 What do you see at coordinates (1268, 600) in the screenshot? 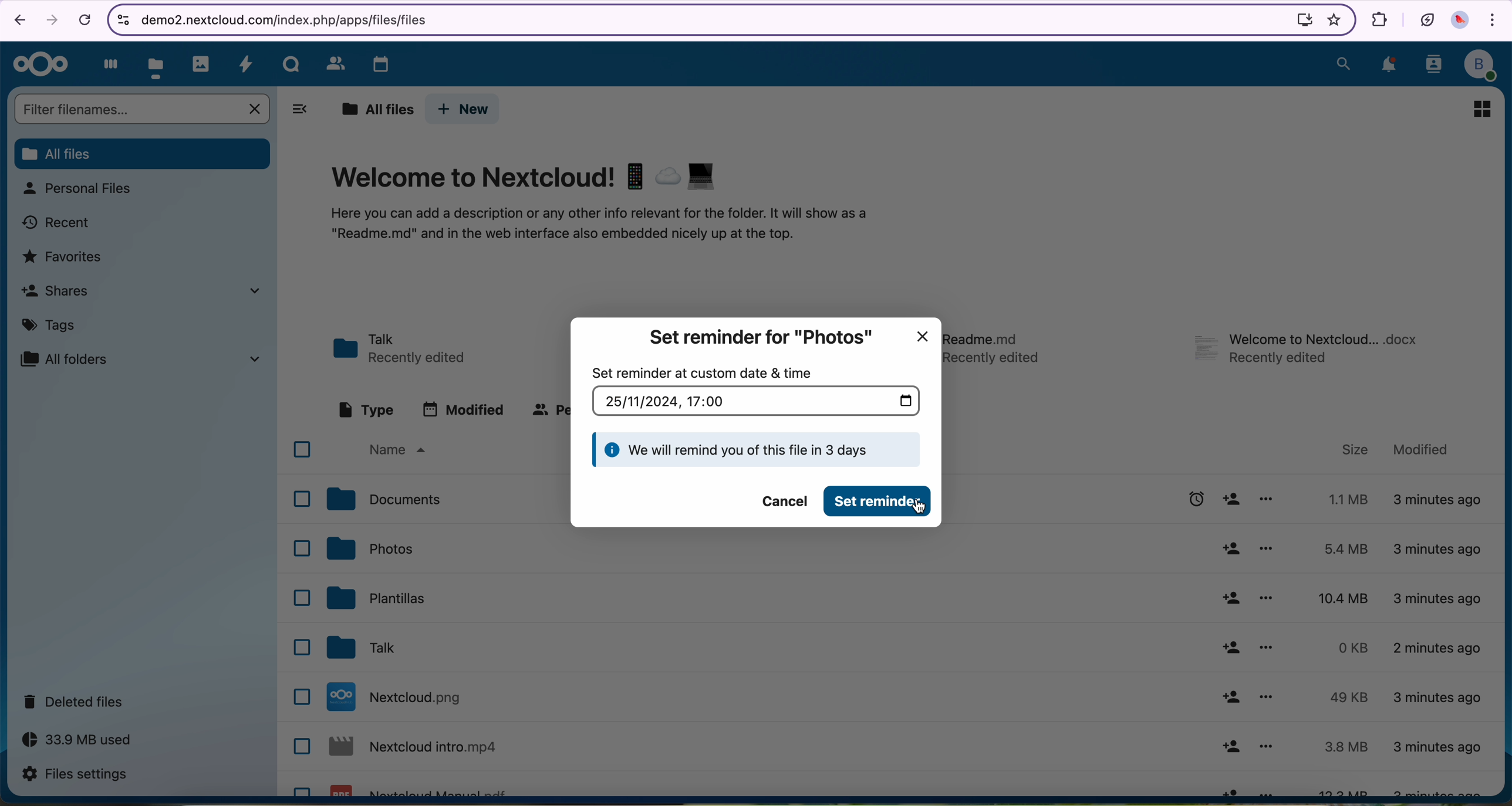
I see `more options` at bounding box center [1268, 600].